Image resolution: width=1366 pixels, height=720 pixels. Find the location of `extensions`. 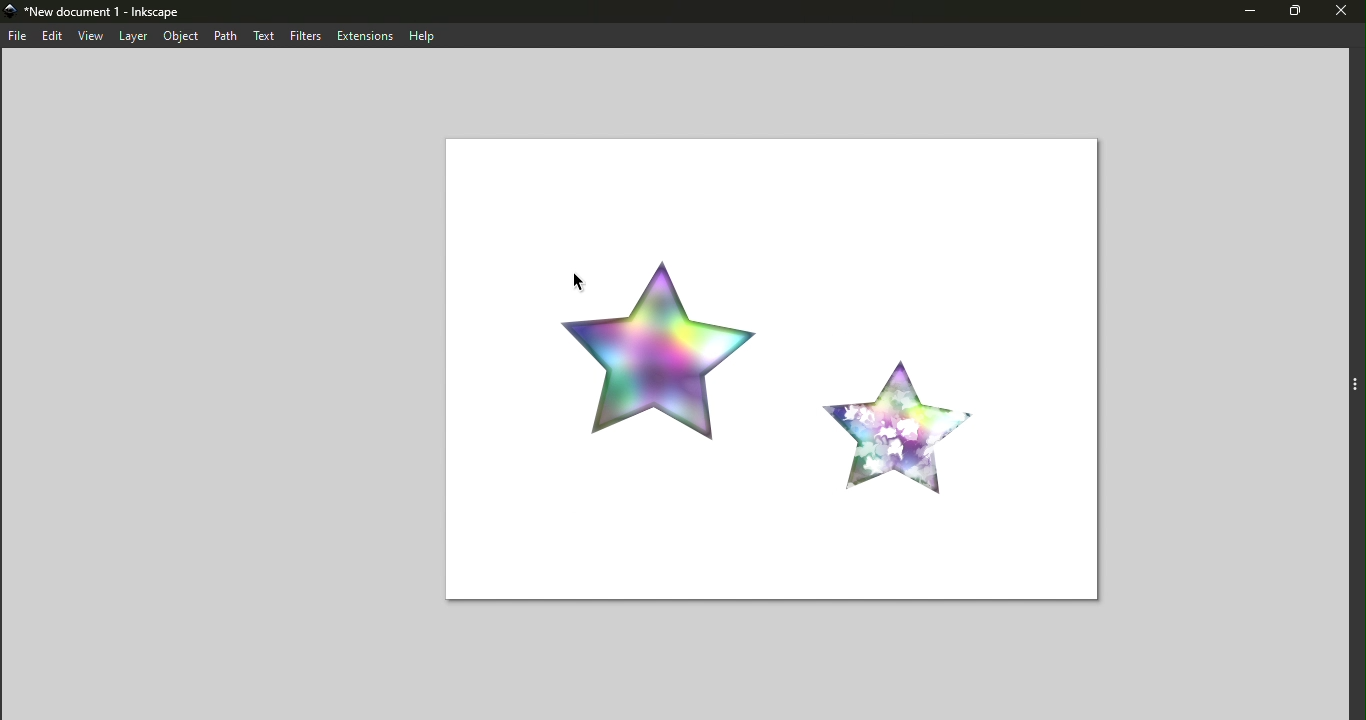

extensions is located at coordinates (363, 35).